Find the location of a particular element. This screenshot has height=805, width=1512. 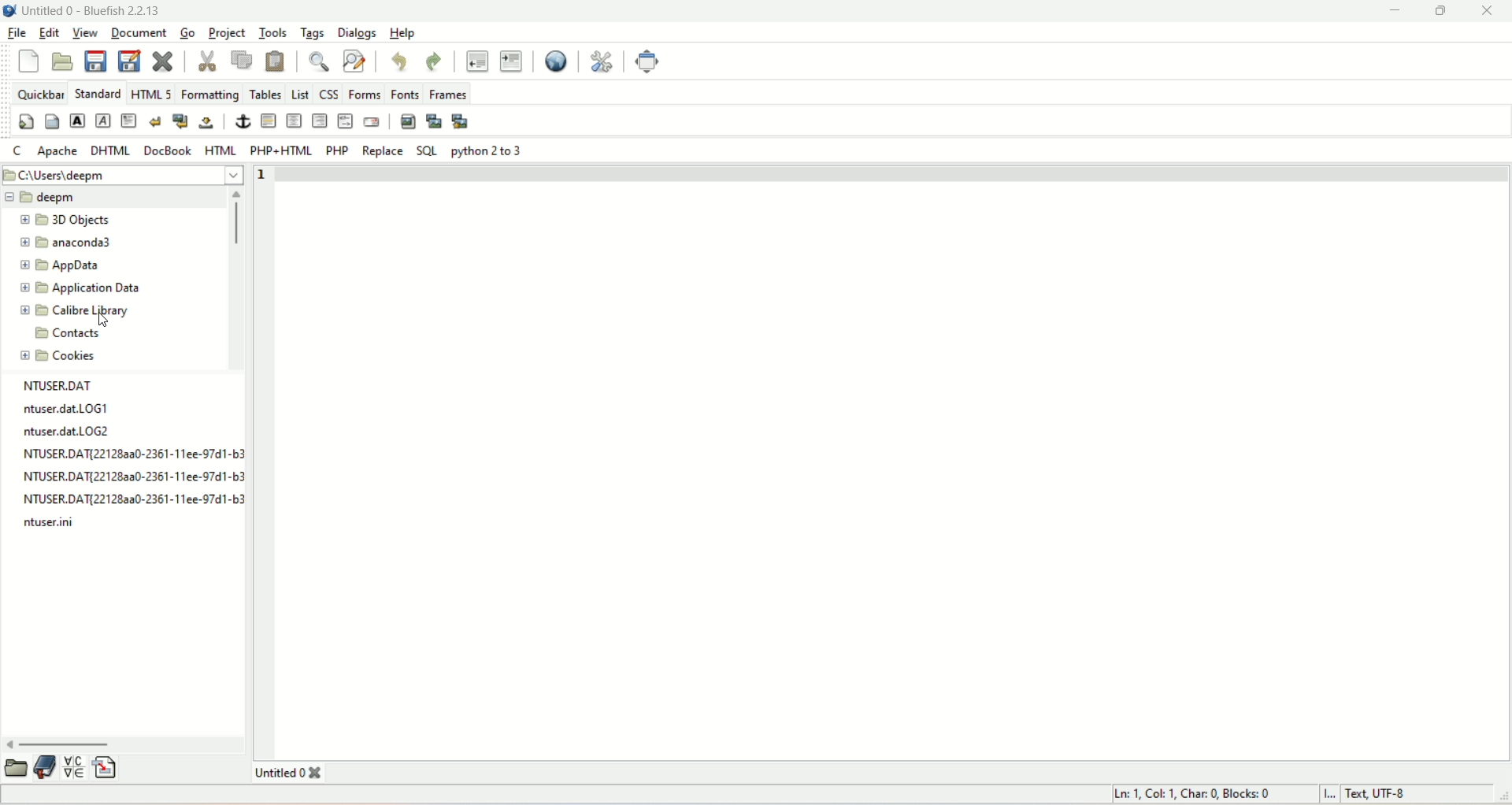

app data is located at coordinates (59, 264).